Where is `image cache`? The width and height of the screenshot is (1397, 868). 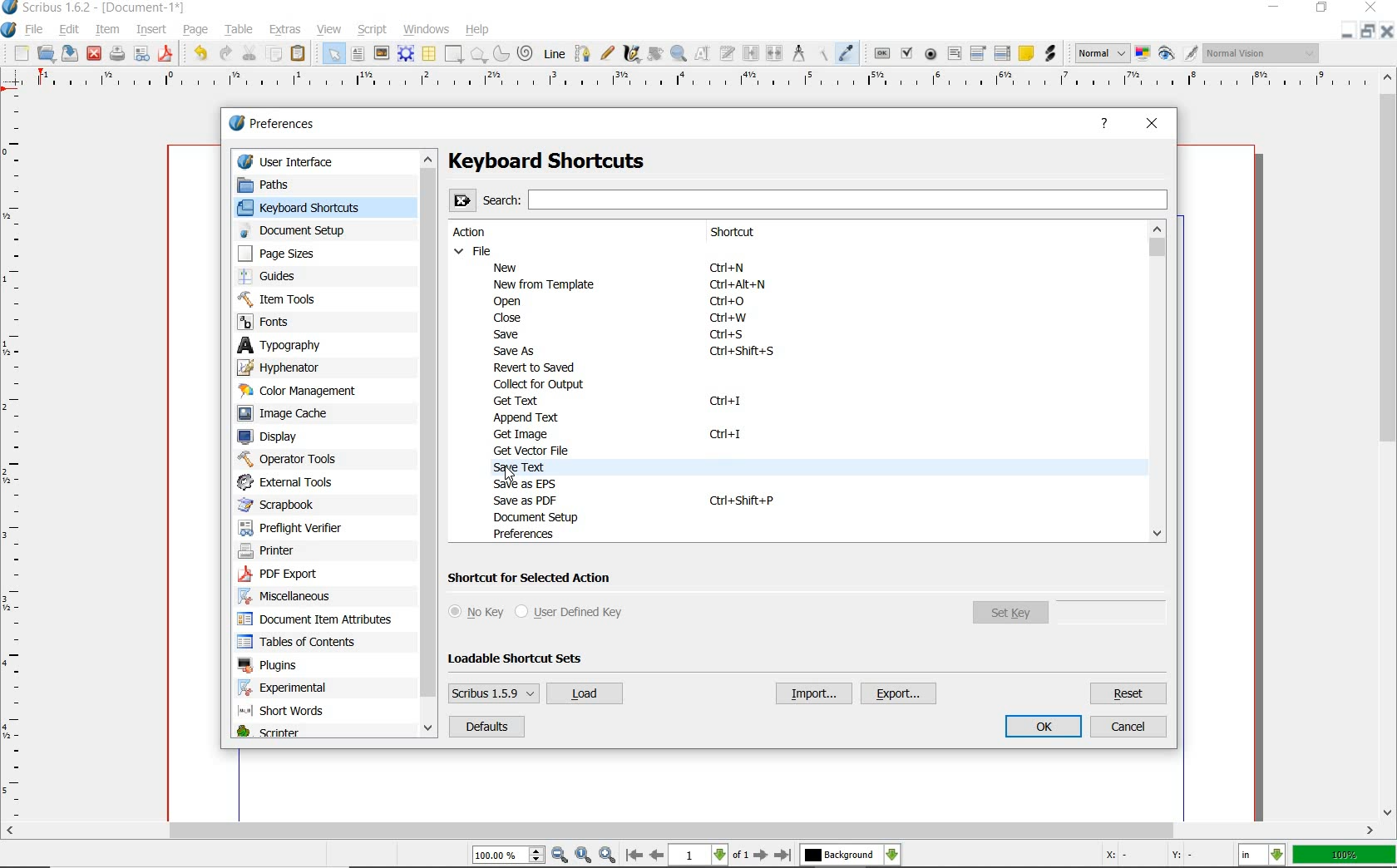 image cache is located at coordinates (293, 414).